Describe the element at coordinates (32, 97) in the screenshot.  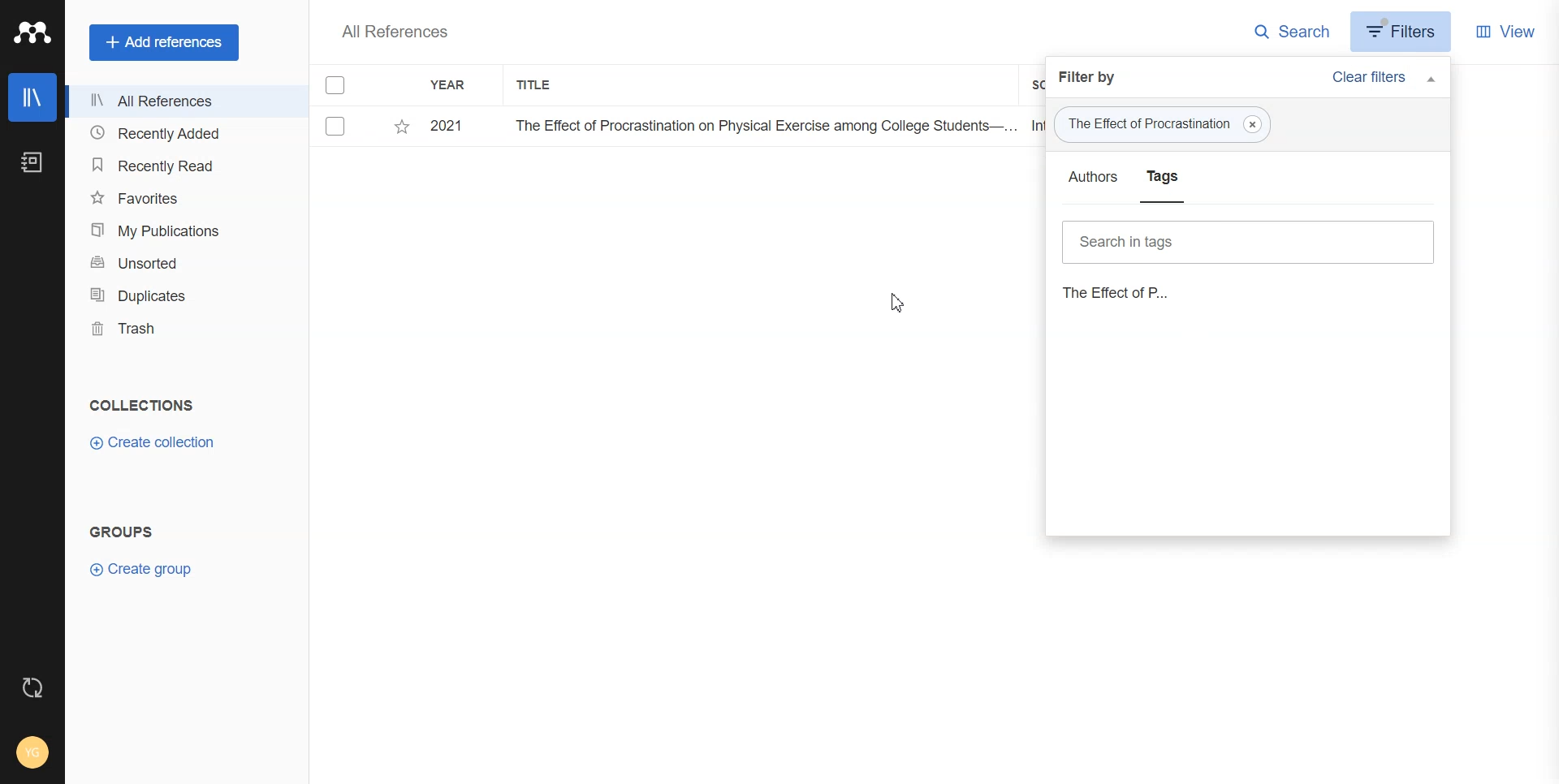
I see `Library` at that location.